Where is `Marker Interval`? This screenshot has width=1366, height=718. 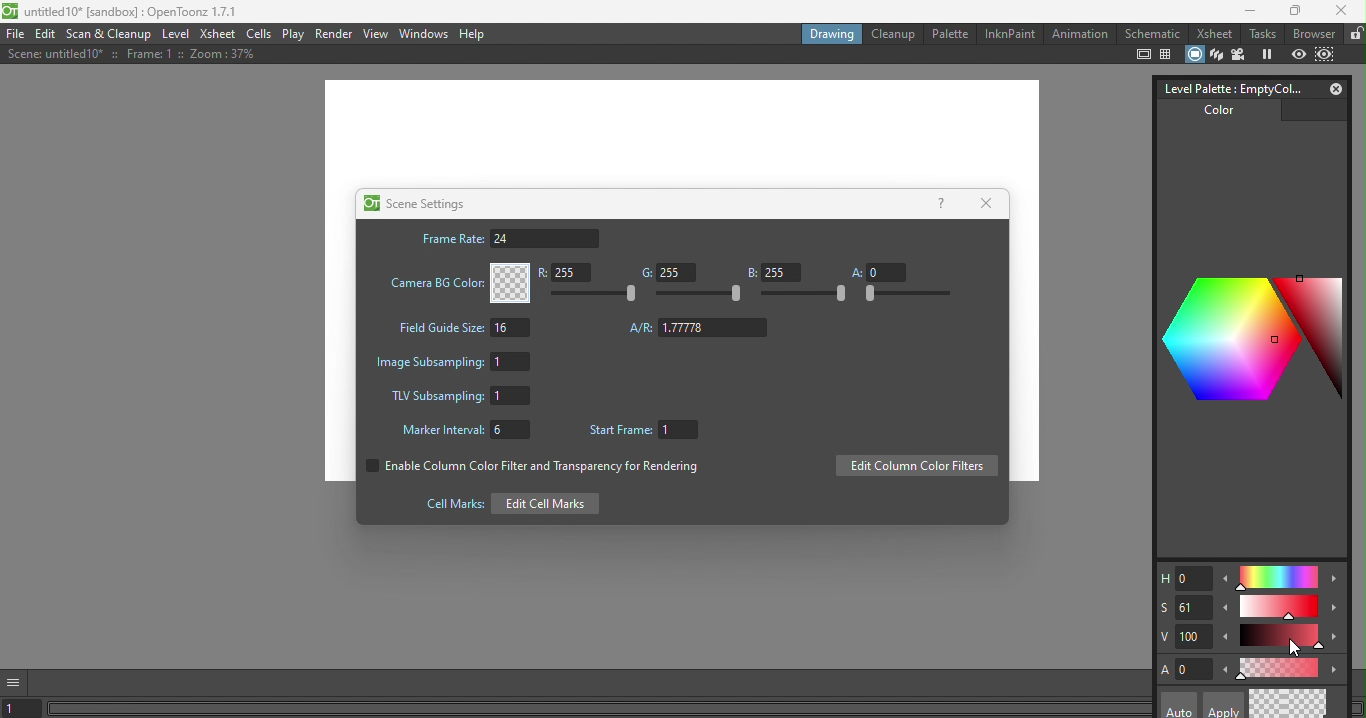
Marker Interval is located at coordinates (460, 432).